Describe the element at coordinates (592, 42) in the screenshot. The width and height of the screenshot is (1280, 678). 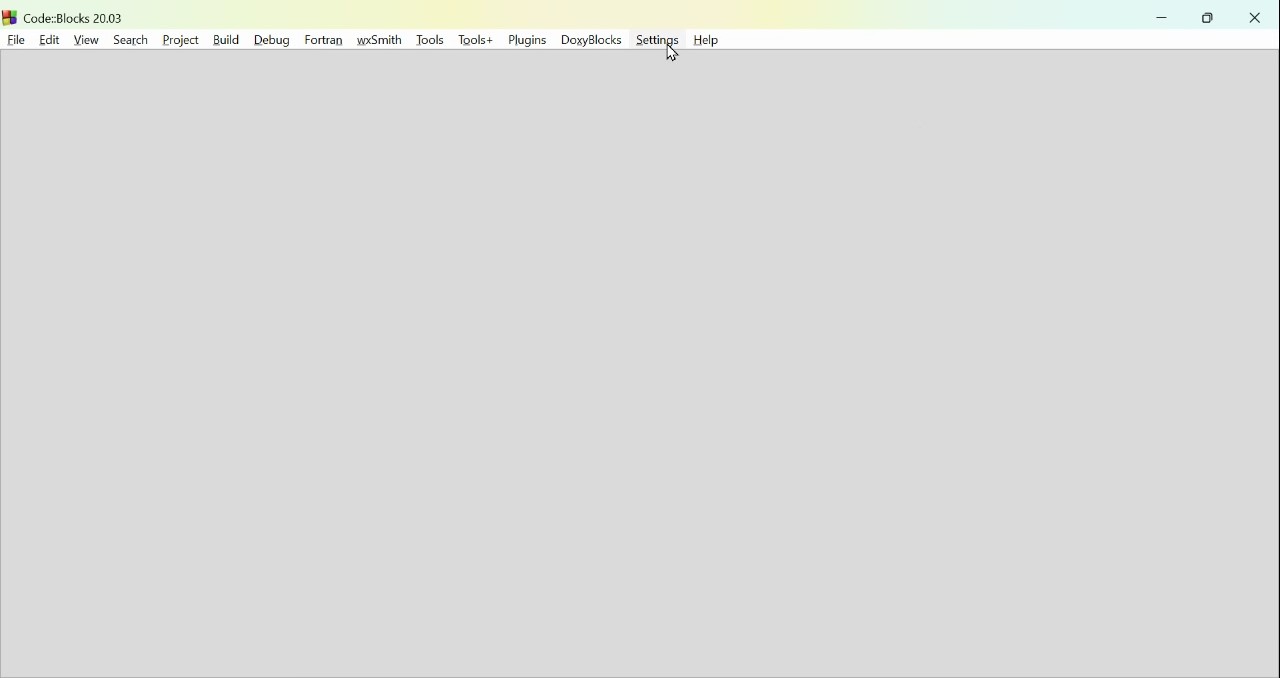
I see `Doxyblocks` at that location.